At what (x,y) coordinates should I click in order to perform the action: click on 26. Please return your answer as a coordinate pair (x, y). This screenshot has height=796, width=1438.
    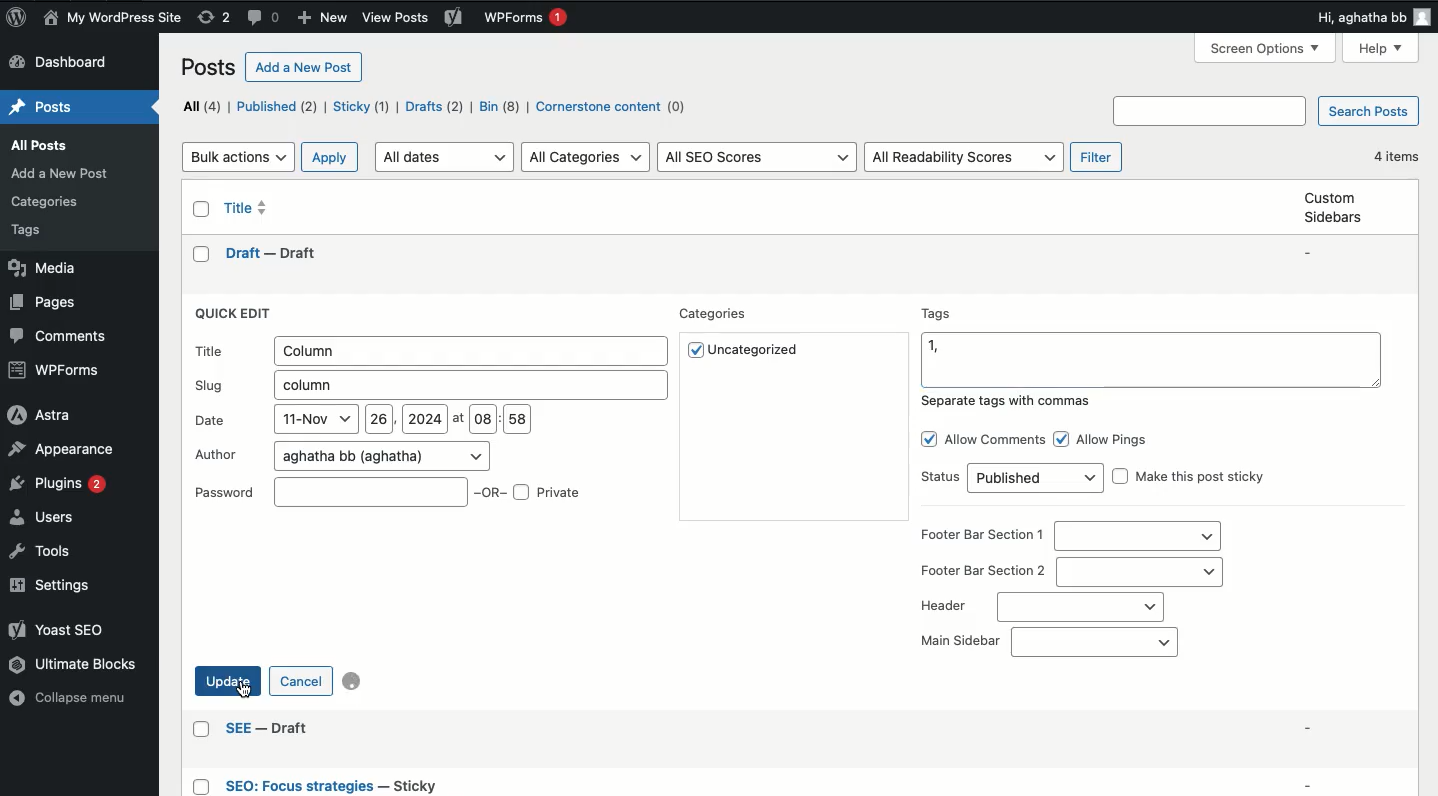
    Looking at the image, I should click on (378, 418).